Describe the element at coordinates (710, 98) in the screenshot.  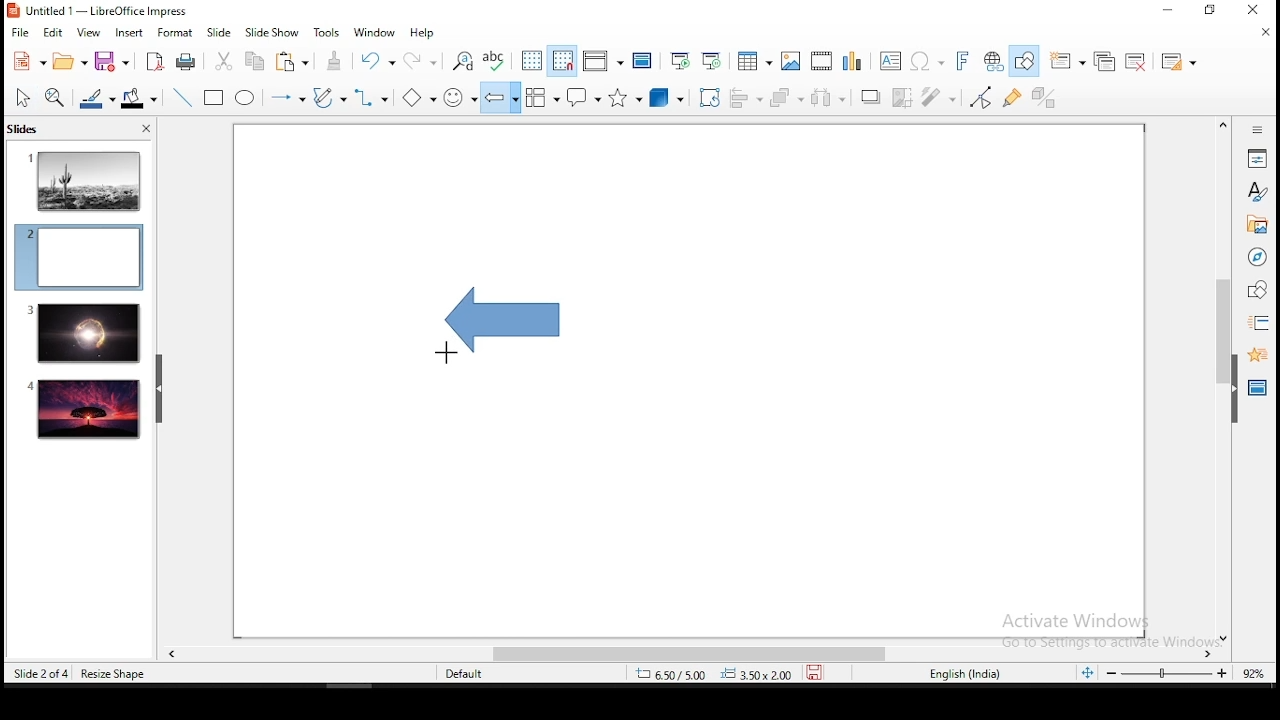
I see `crop tool` at that location.